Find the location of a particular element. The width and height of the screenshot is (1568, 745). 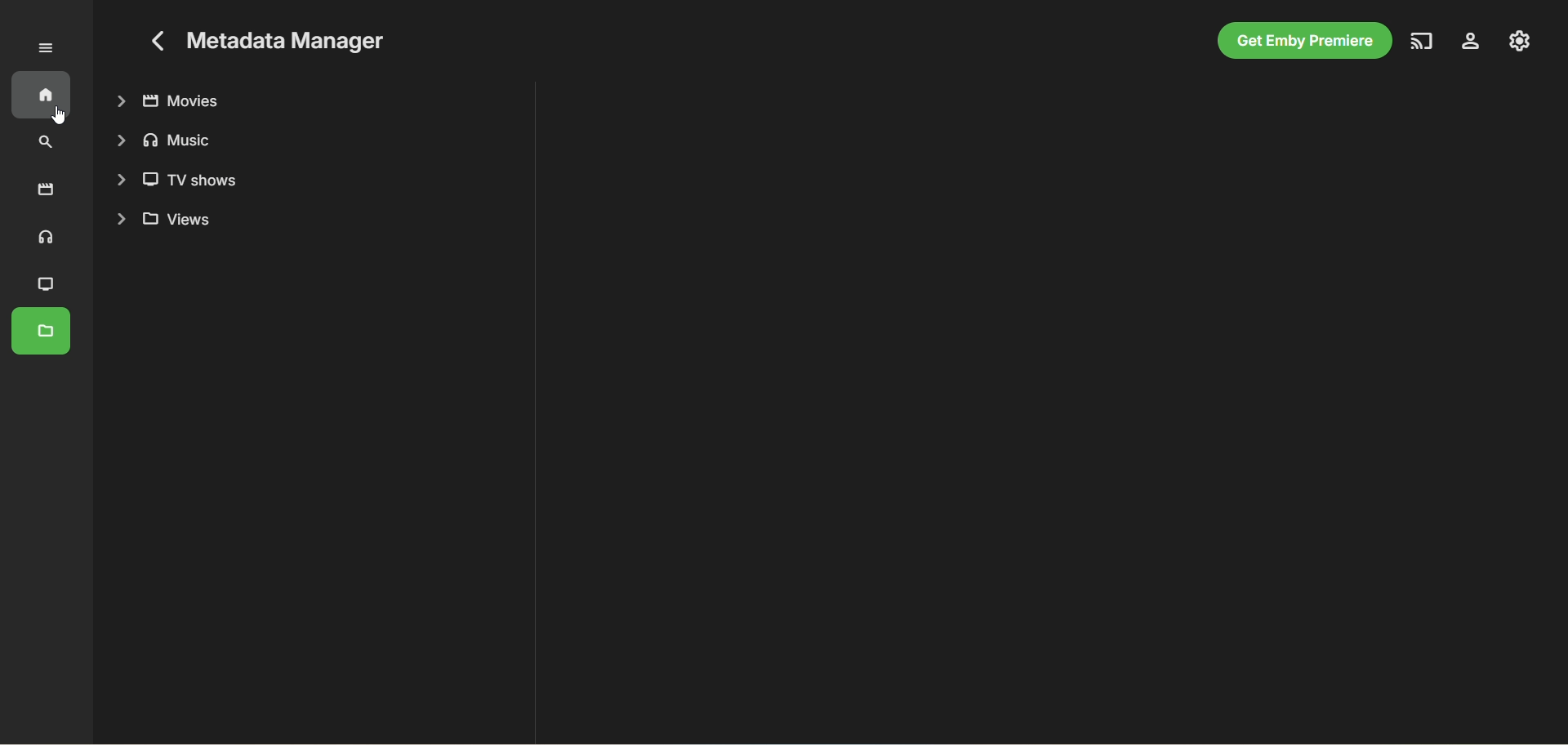

home is located at coordinates (47, 91).